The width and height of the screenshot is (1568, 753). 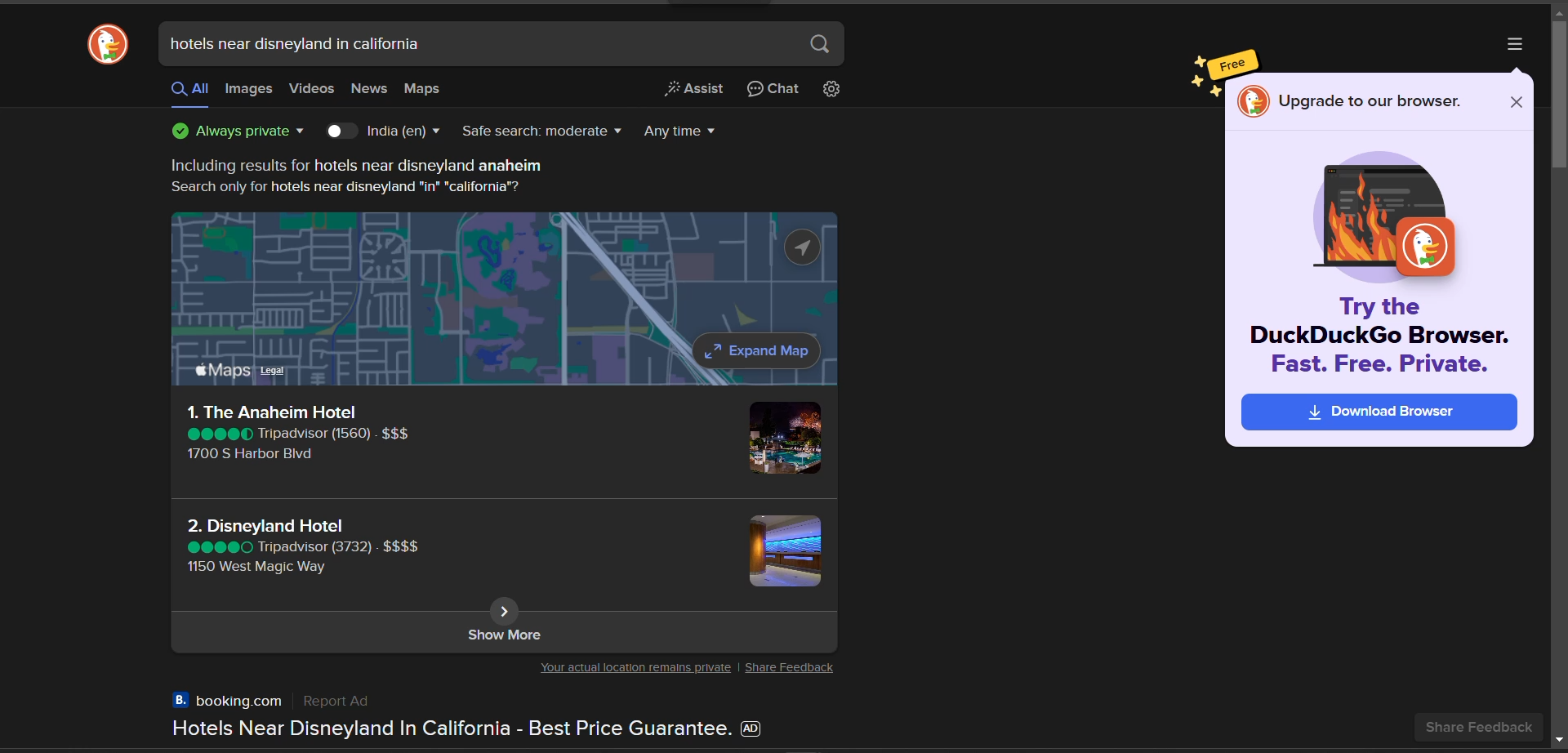 I want to click on maps, so click(x=422, y=89).